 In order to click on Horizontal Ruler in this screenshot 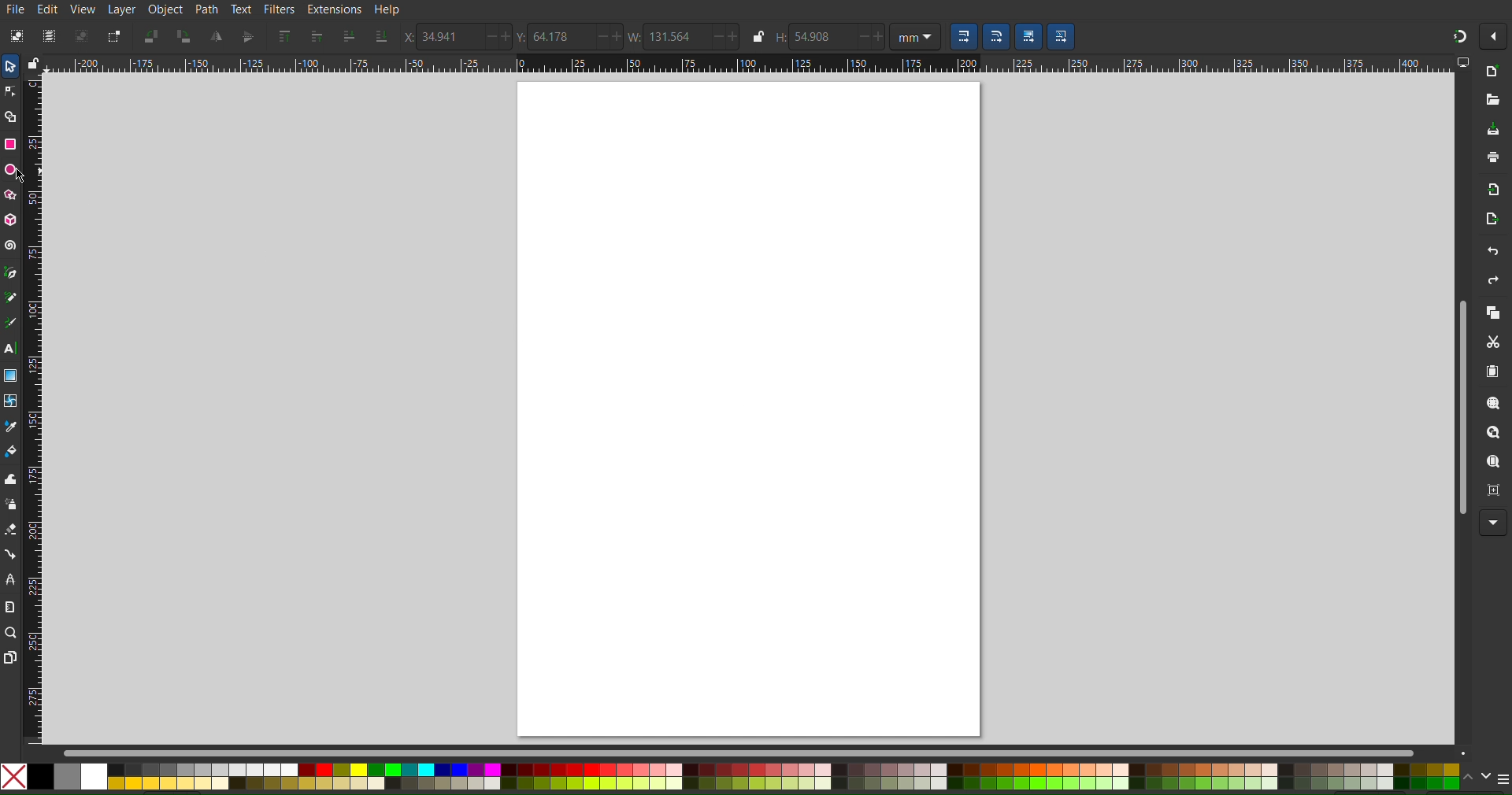, I will do `click(749, 65)`.